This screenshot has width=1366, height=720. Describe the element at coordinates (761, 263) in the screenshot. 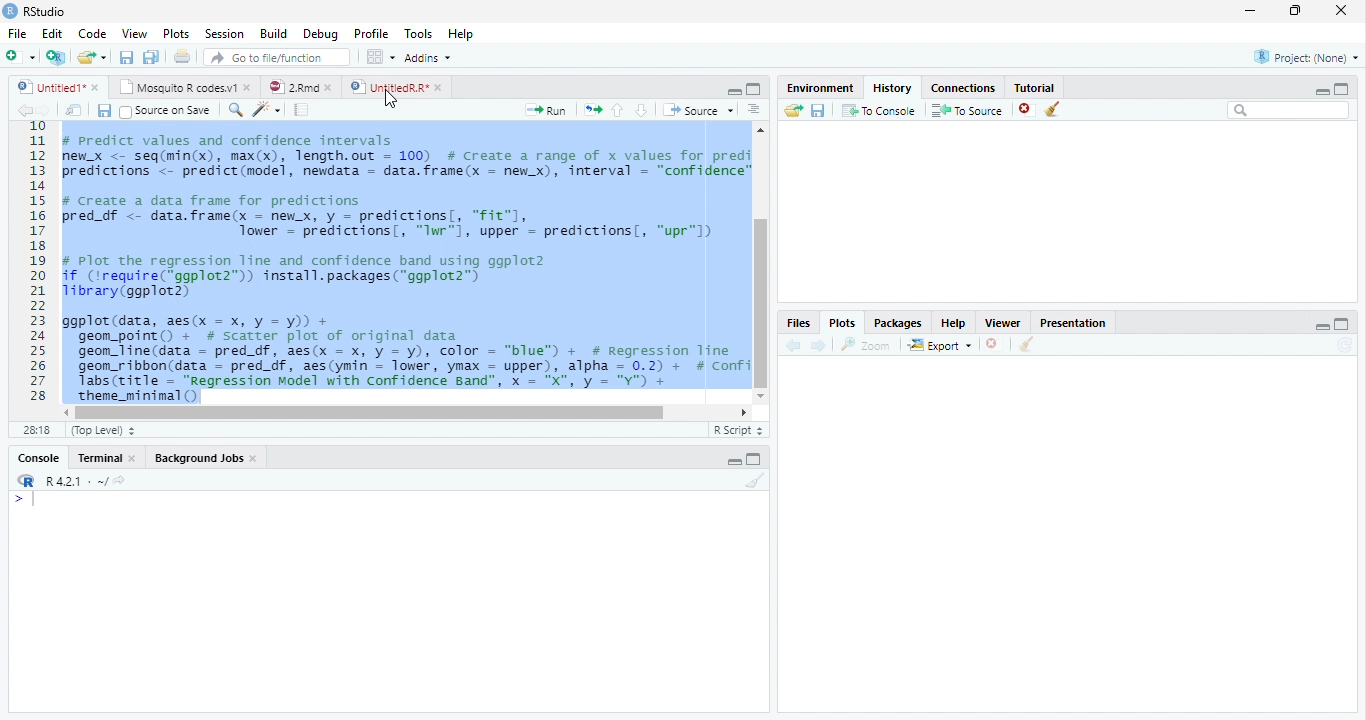

I see `Scrollbar` at that location.